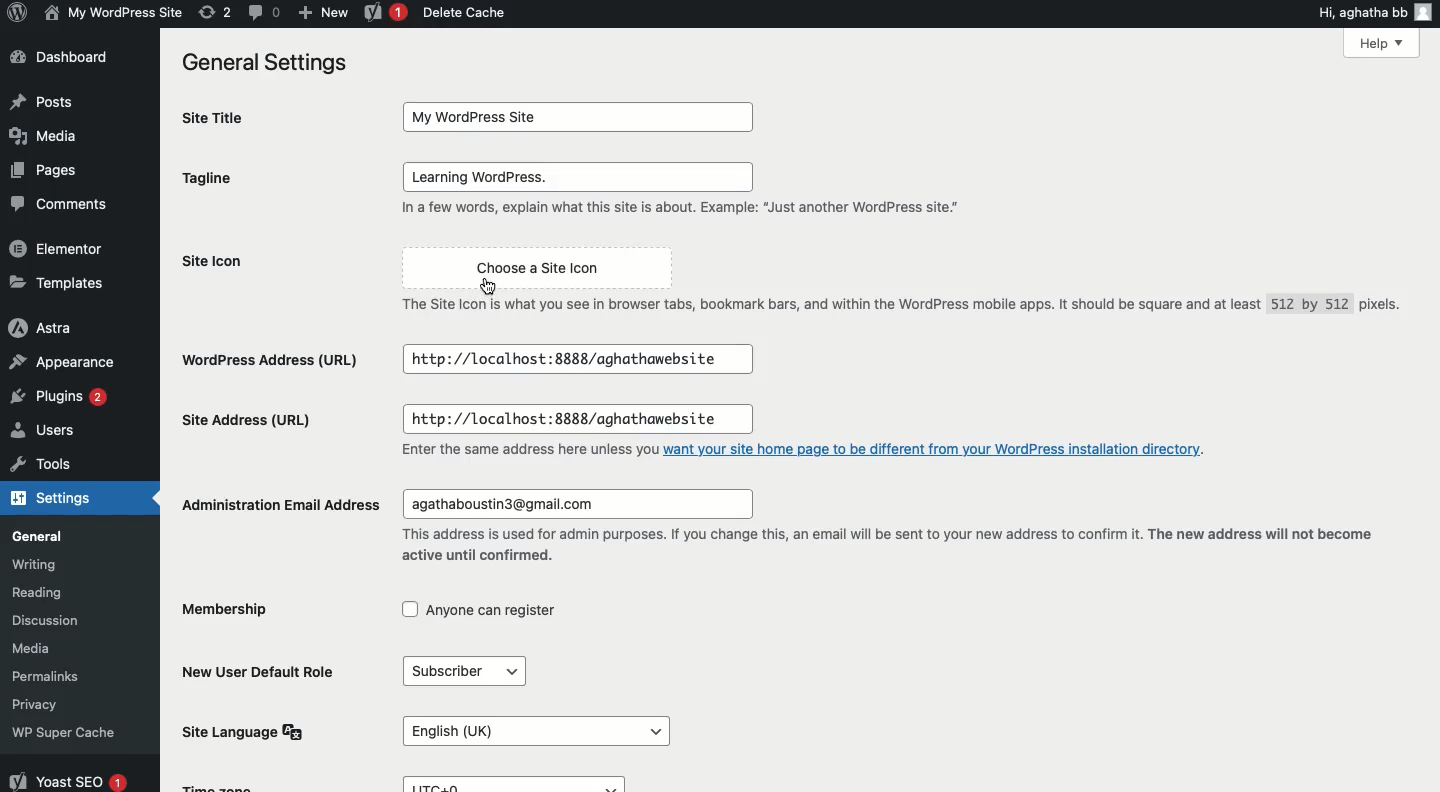  What do you see at coordinates (15, 14) in the screenshot?
I see `Wordpress Logo` at bounding box center [15, 14].